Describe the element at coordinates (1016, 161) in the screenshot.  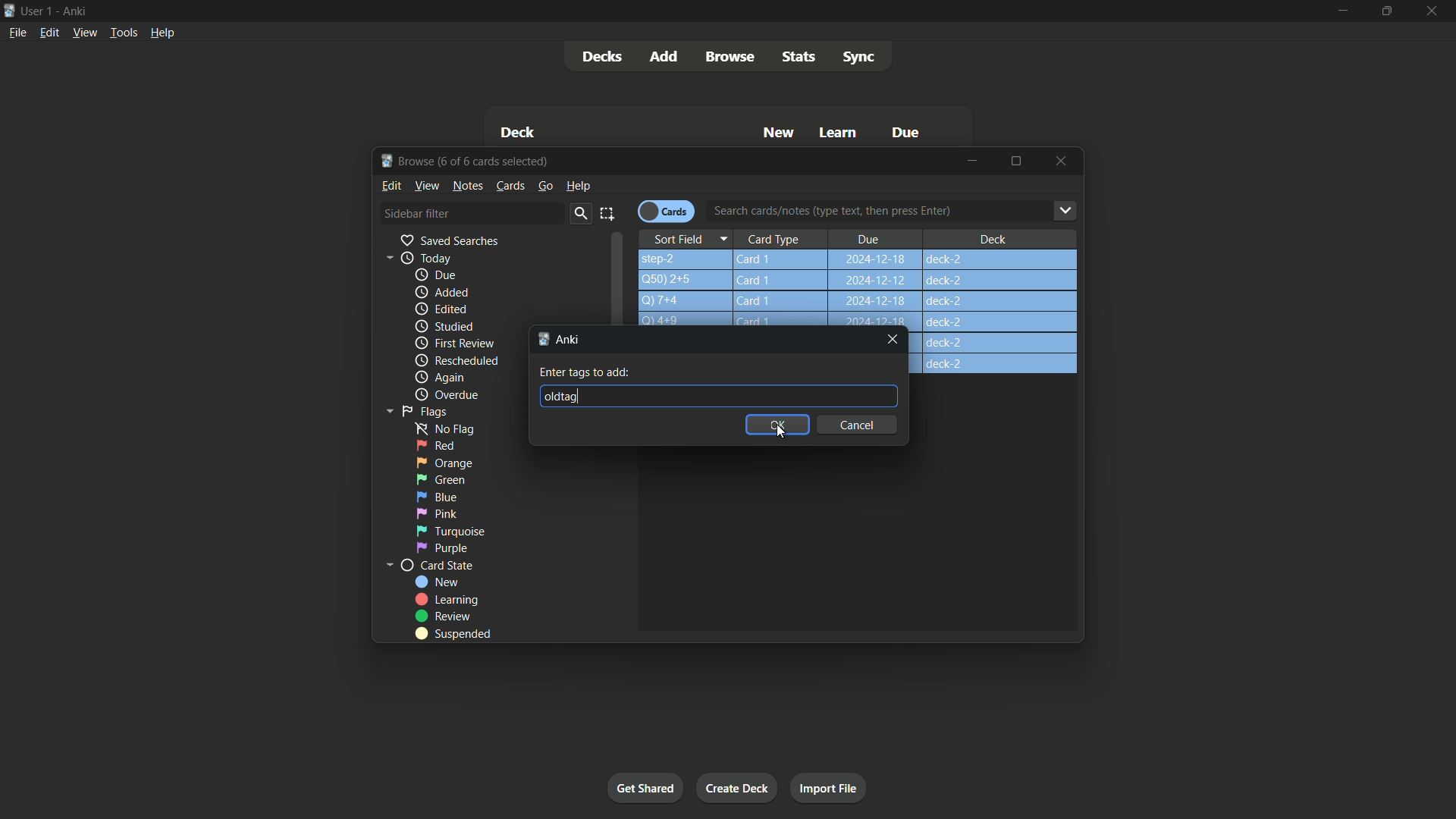
I see `Maximize` at that location.